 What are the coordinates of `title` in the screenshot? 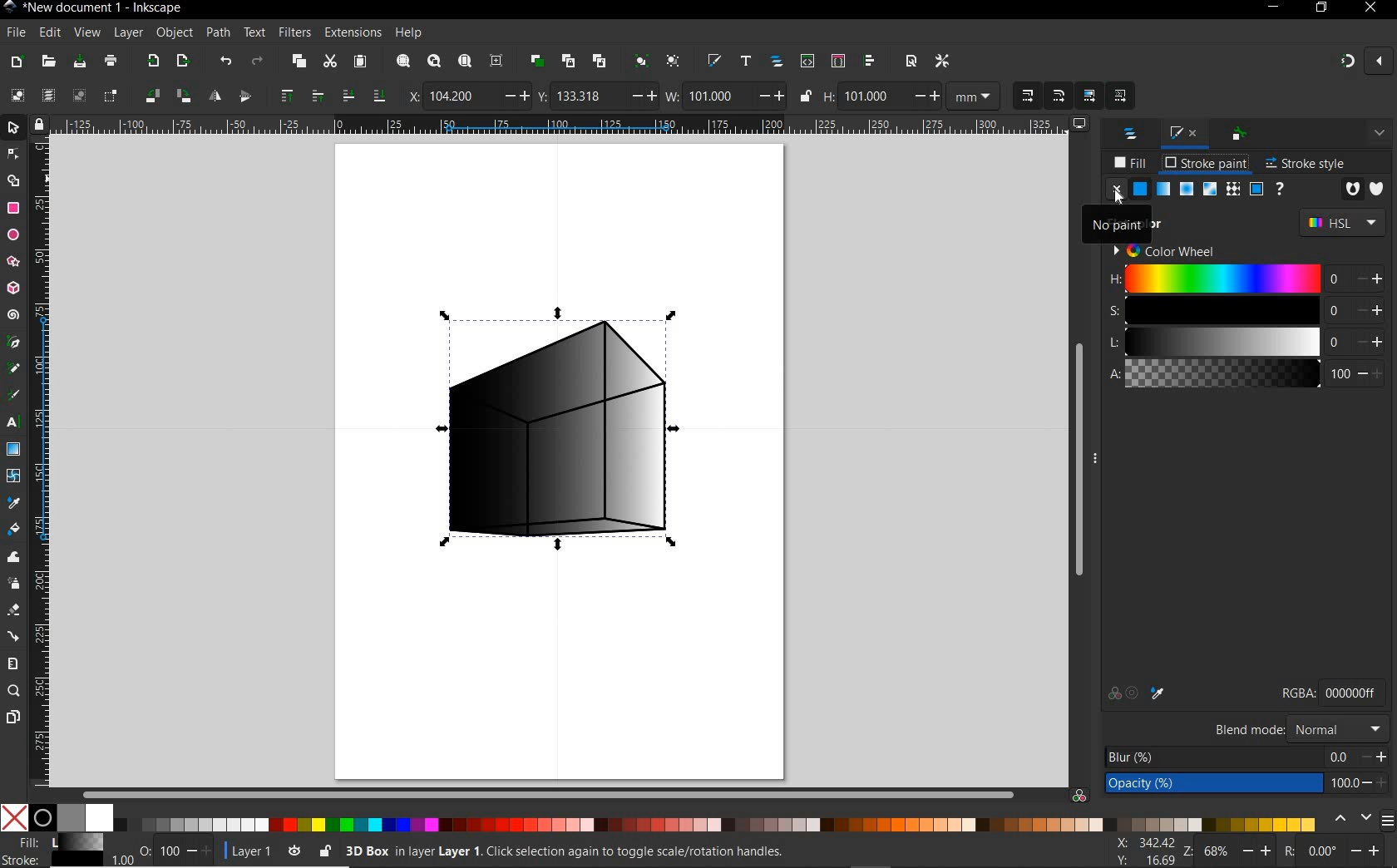 It's located at (105, 8).